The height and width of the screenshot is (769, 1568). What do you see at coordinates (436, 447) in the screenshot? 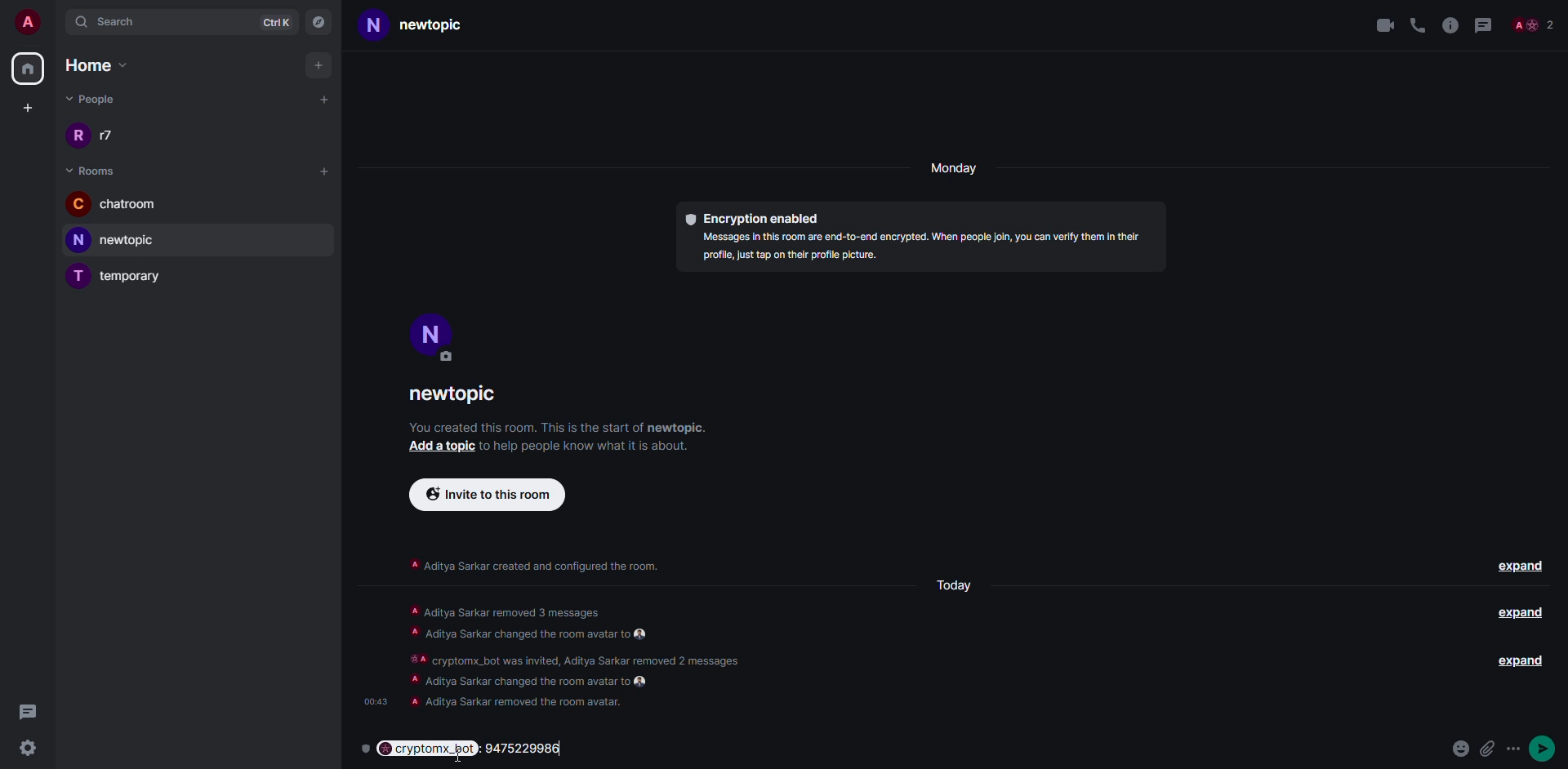
I see `add topic` at bounding box center [436, 447].